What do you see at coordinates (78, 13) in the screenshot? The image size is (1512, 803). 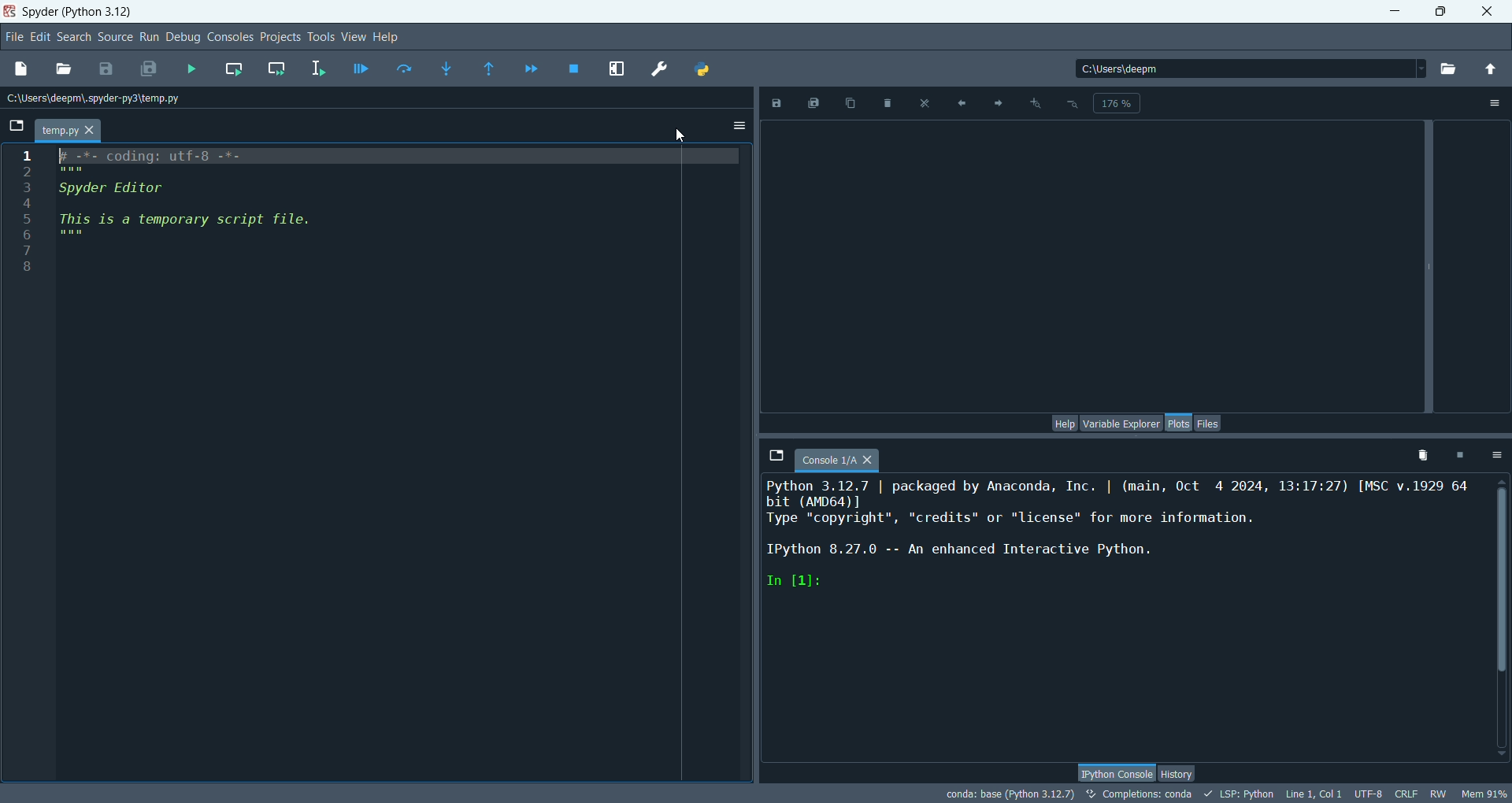 I see `spyder` at bounding box center [78, 13].